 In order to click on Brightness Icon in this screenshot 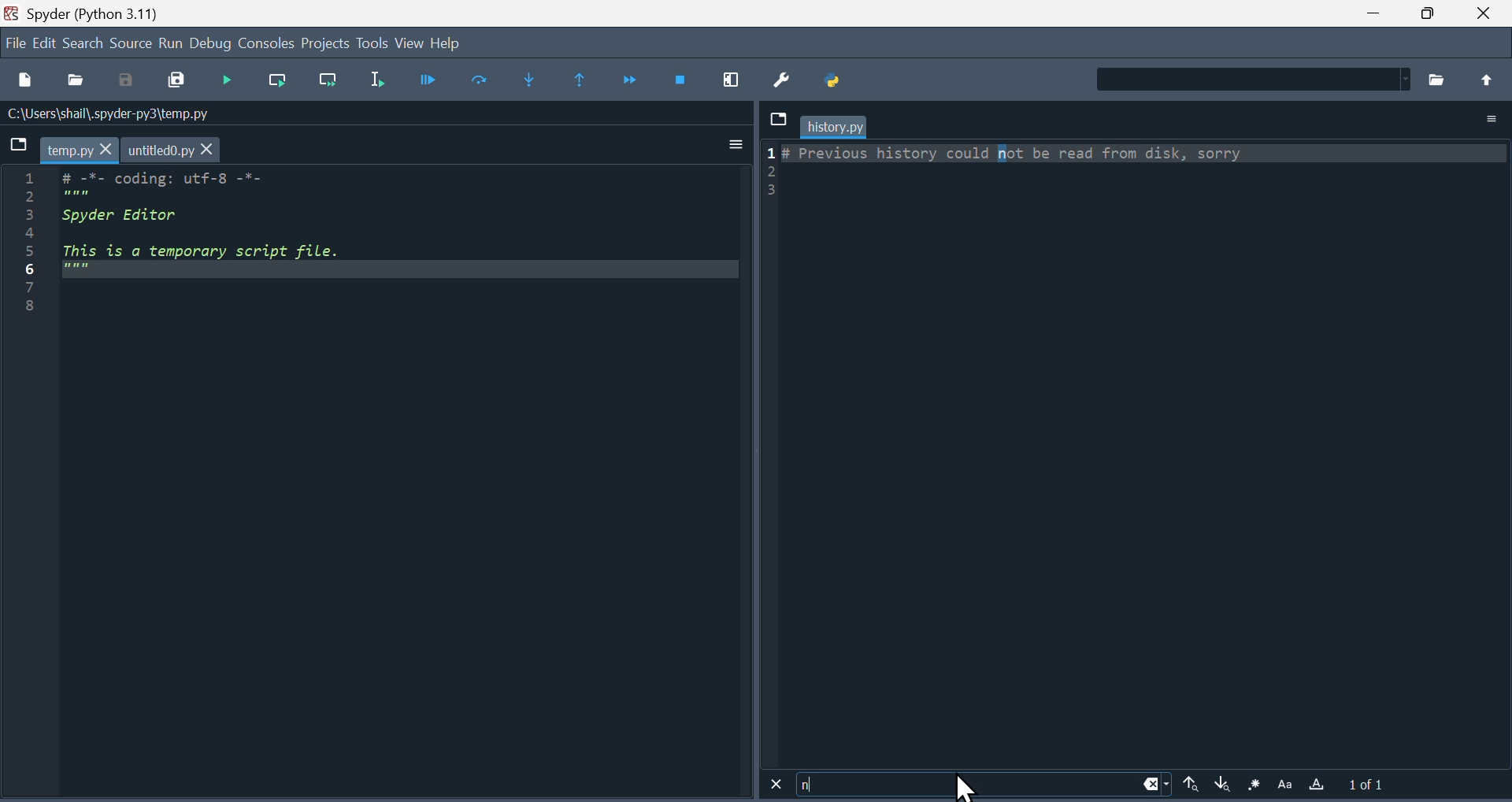, I will do `click(1254, 786)`.